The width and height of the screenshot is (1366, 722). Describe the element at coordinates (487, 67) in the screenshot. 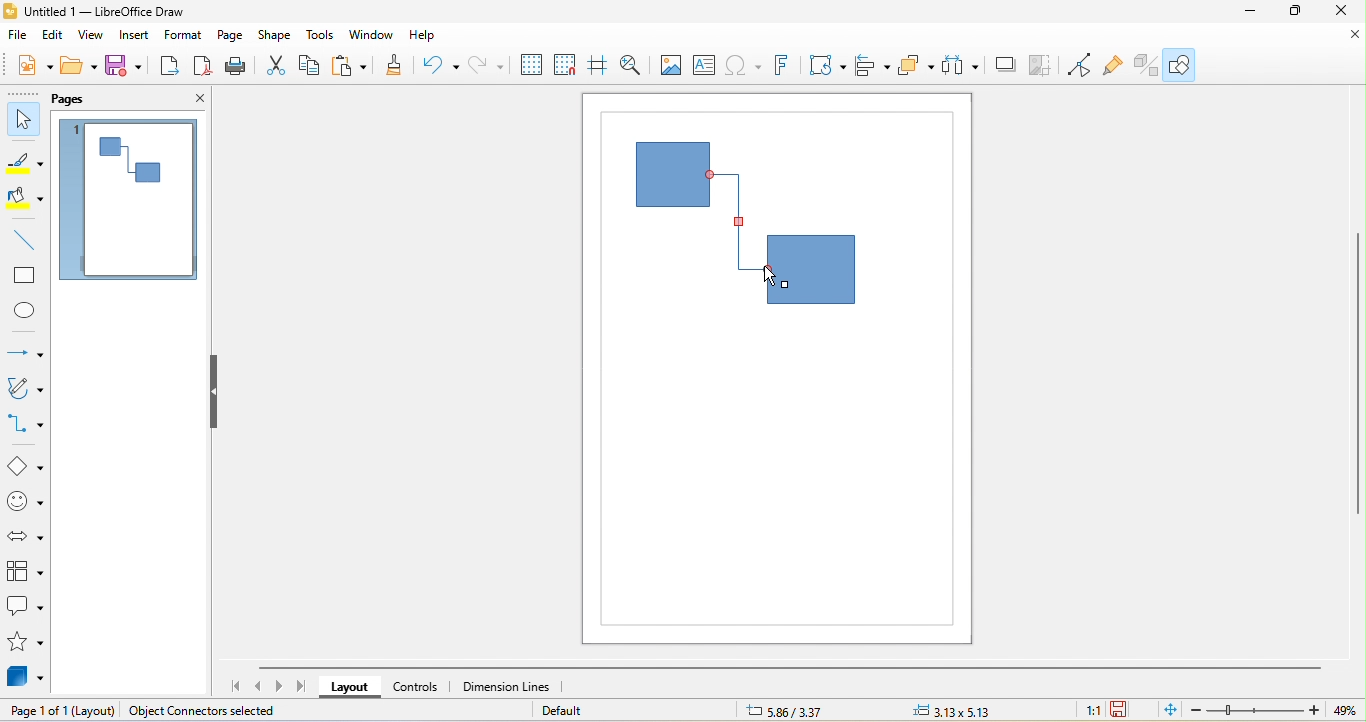

I see `redo` at that location.